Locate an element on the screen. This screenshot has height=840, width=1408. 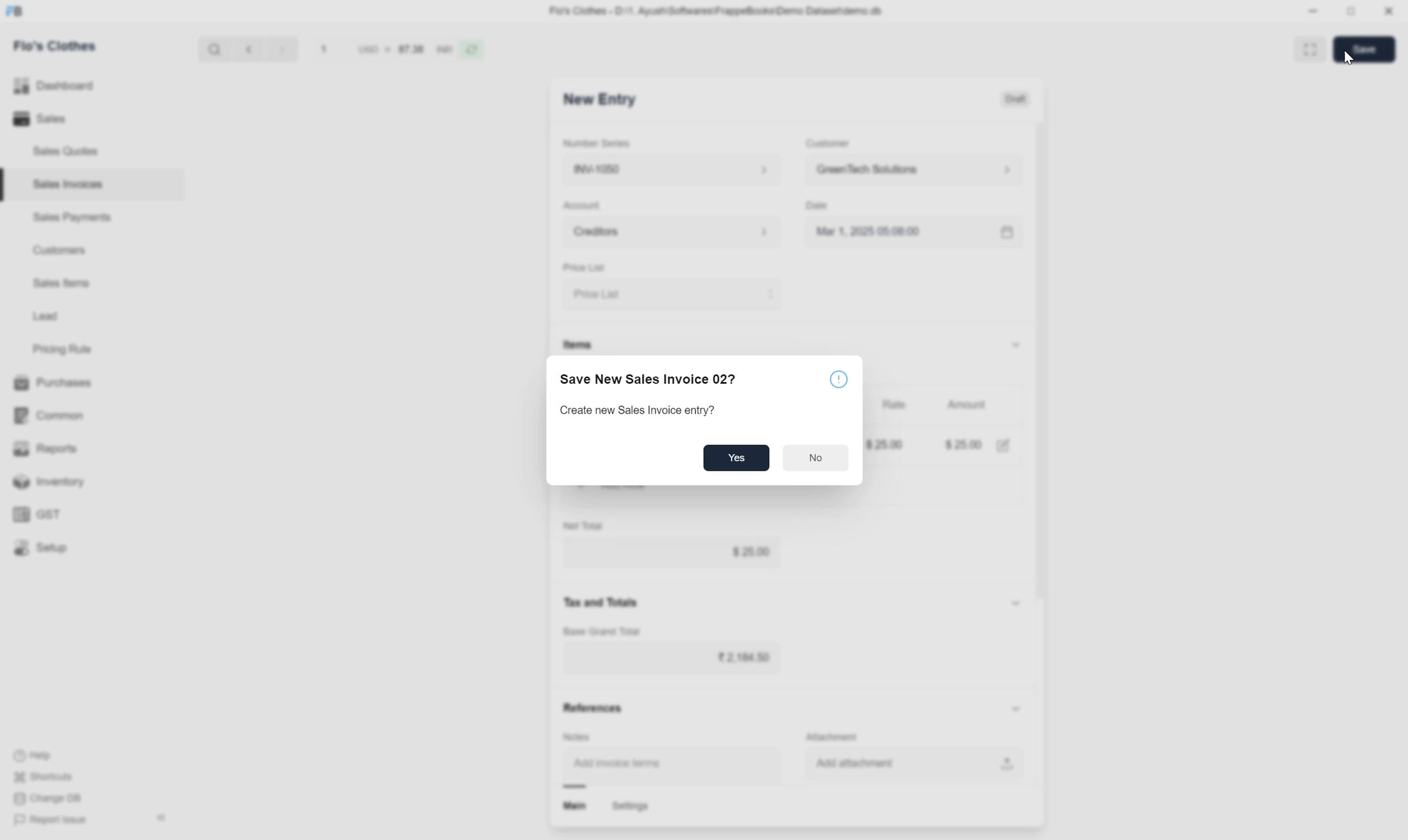
Flo's Clothes - D:\1. Ayush\Softwares\FrappeBooks\Demo Dataset\demo.db is located at coordinates (726, 12).